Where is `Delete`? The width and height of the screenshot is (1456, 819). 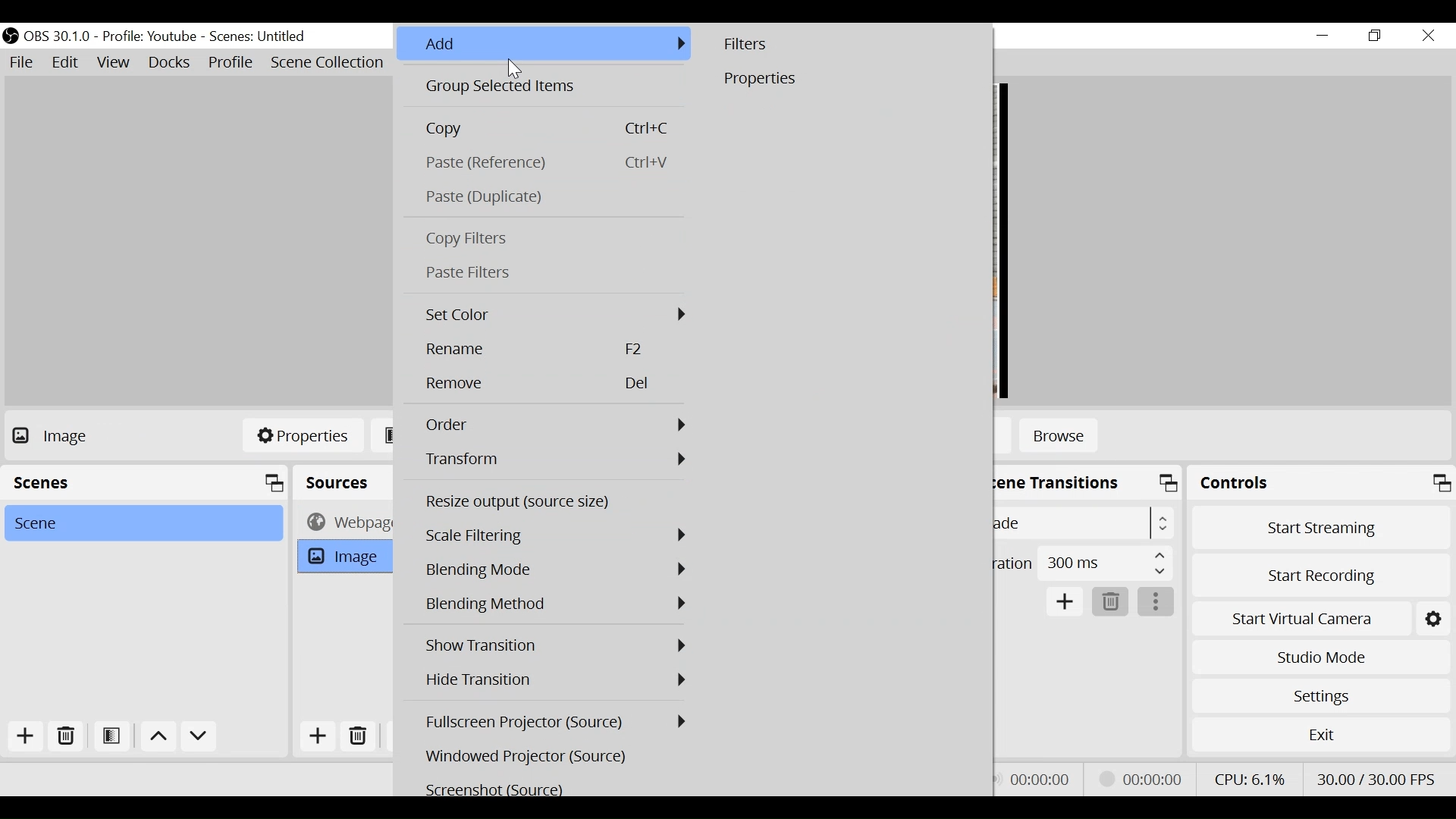 Delete is located at coordinates (553, 384).